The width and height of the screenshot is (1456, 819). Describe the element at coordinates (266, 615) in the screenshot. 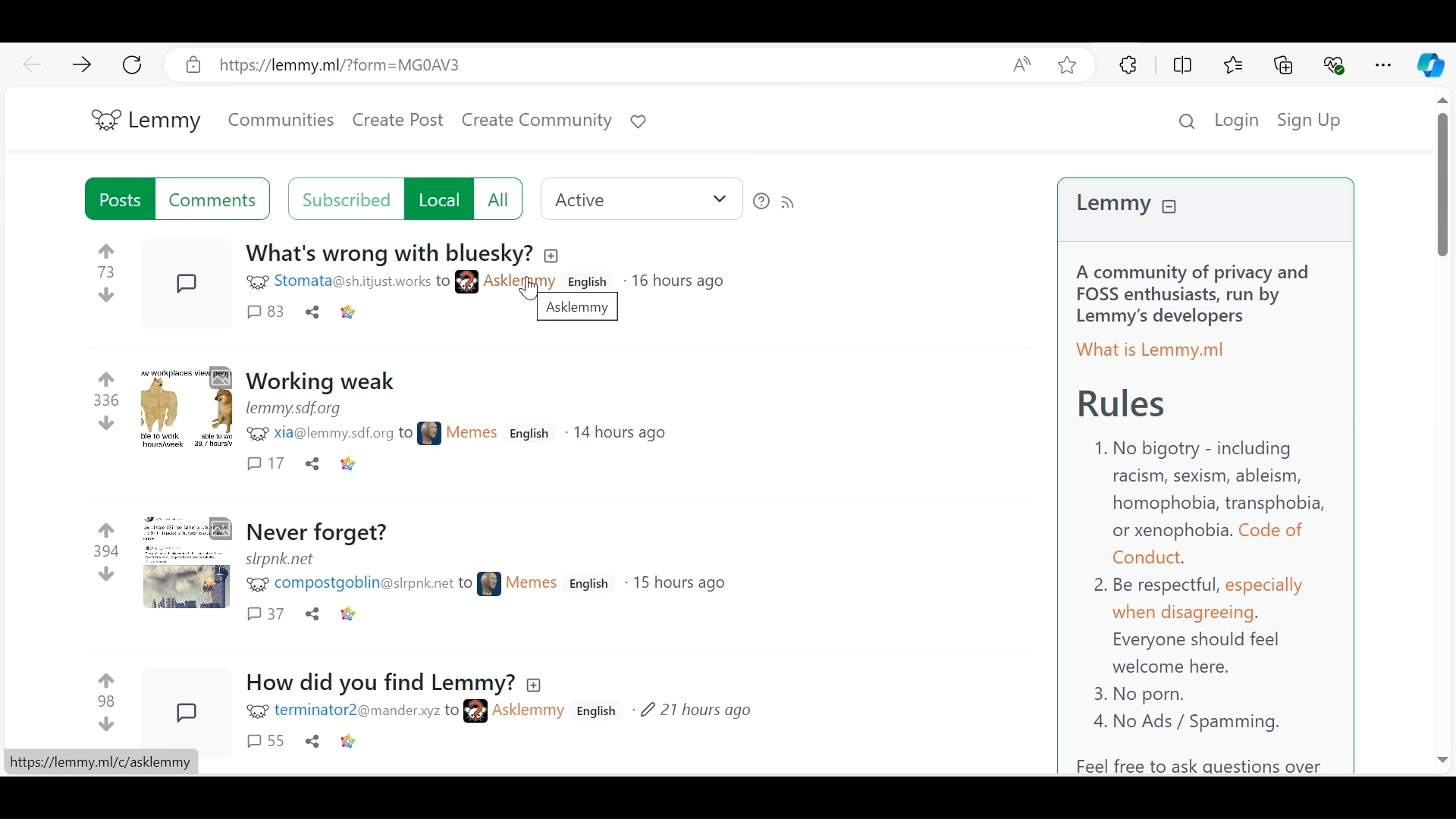

I see `Comments` at that location.